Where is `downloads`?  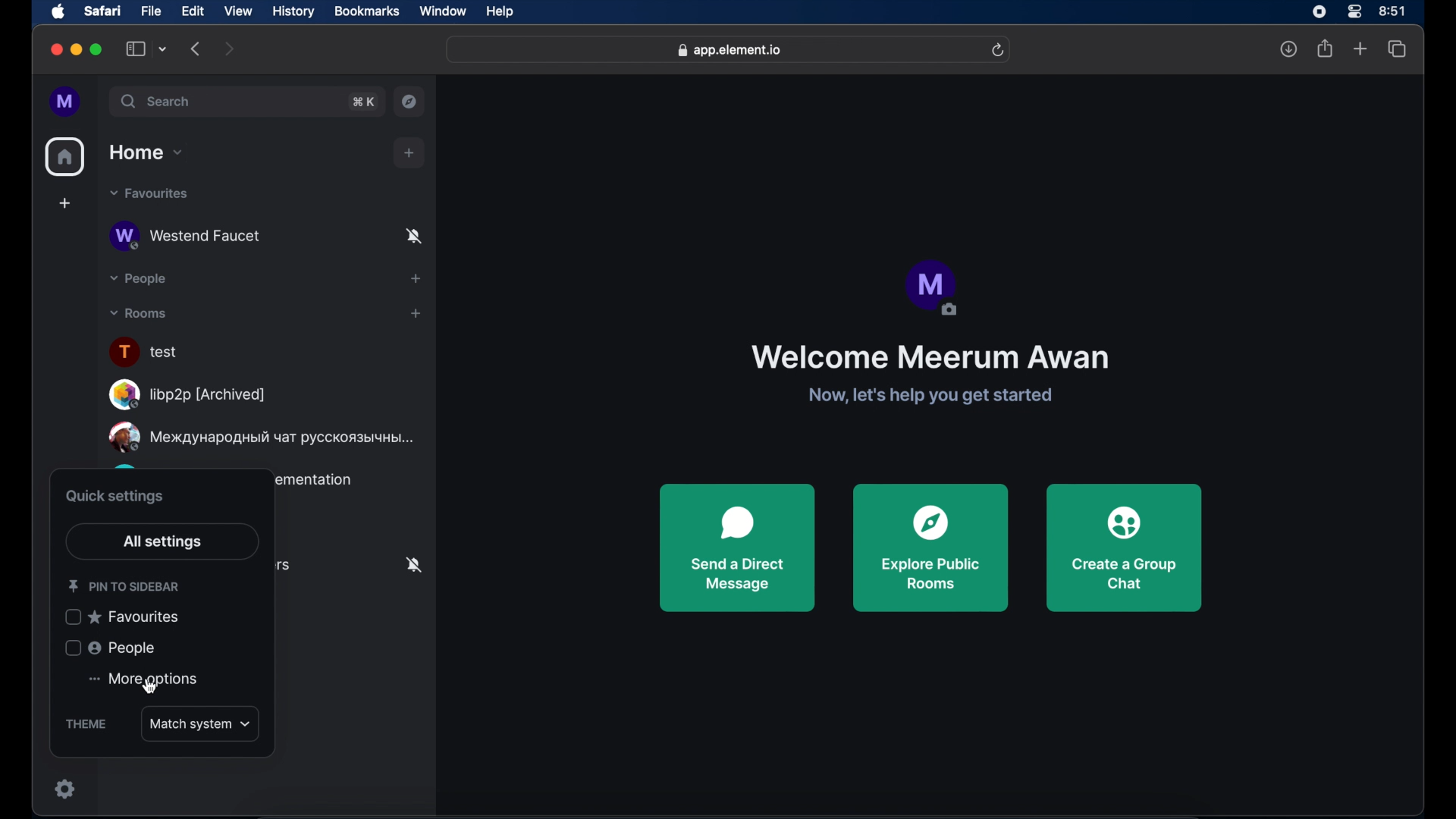
downloads is located at coordinates (1284, 48).